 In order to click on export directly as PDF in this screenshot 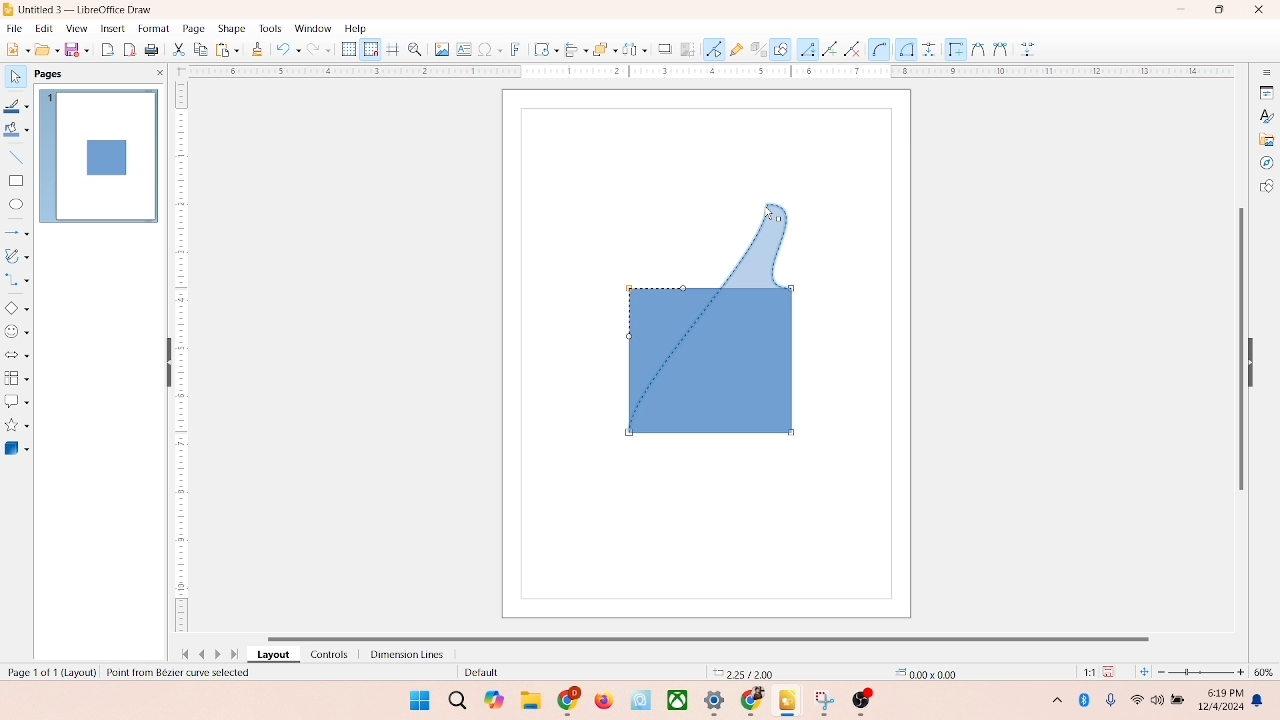, I will do `click(131, 49)`.